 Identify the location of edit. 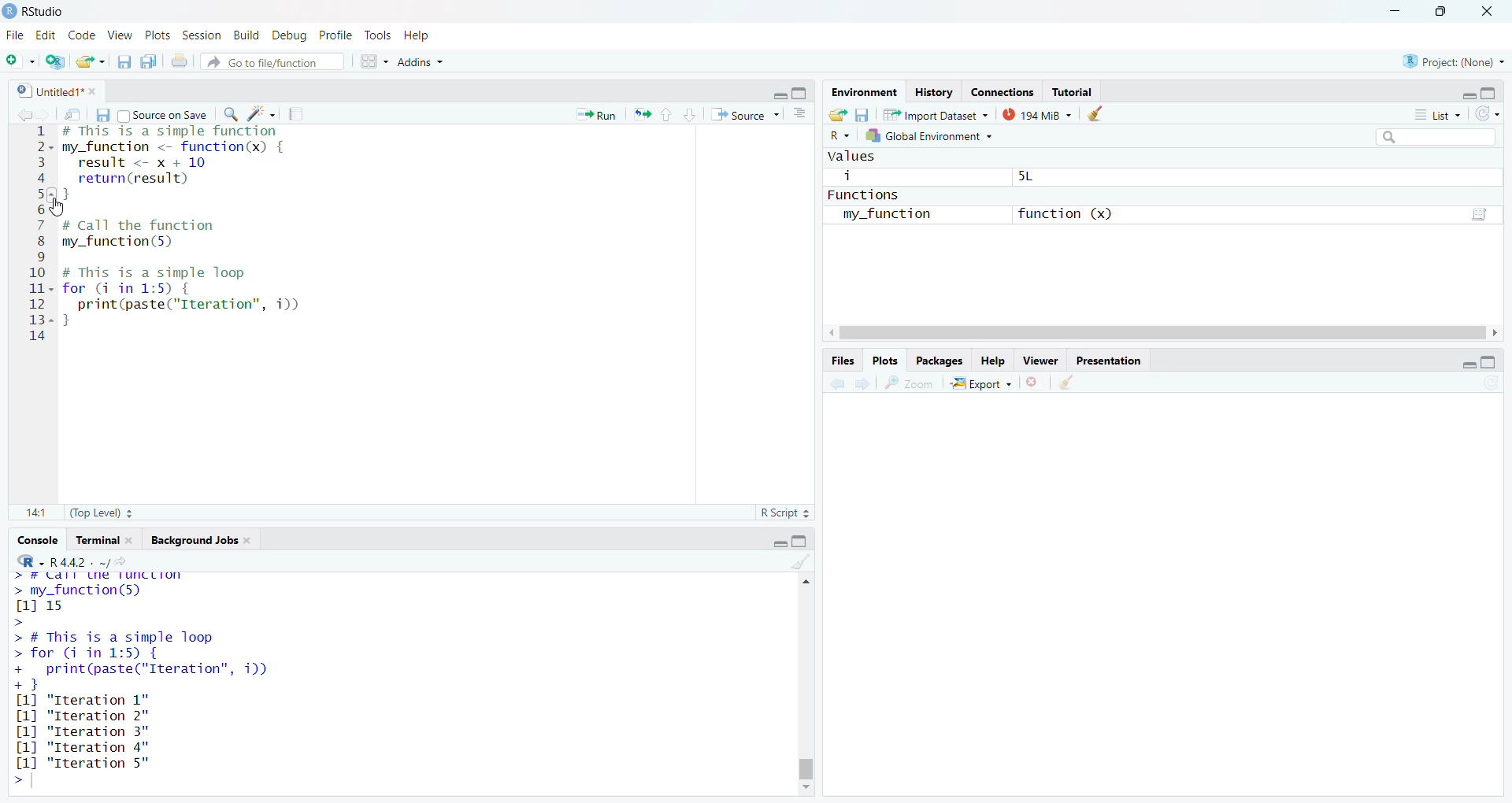
(46, 35).